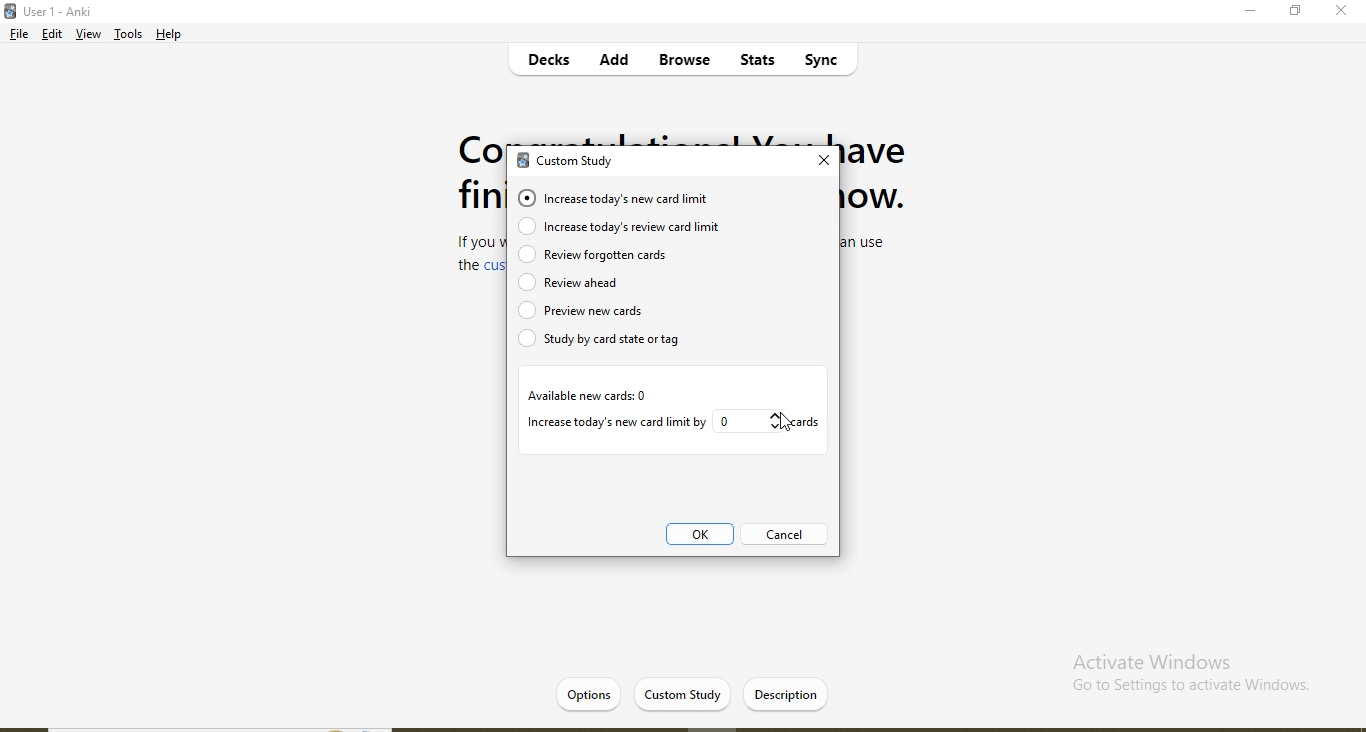  What do you see at coordinates (824, 161) in the screenshot?
I see `close` at bounding box center [824, 161].